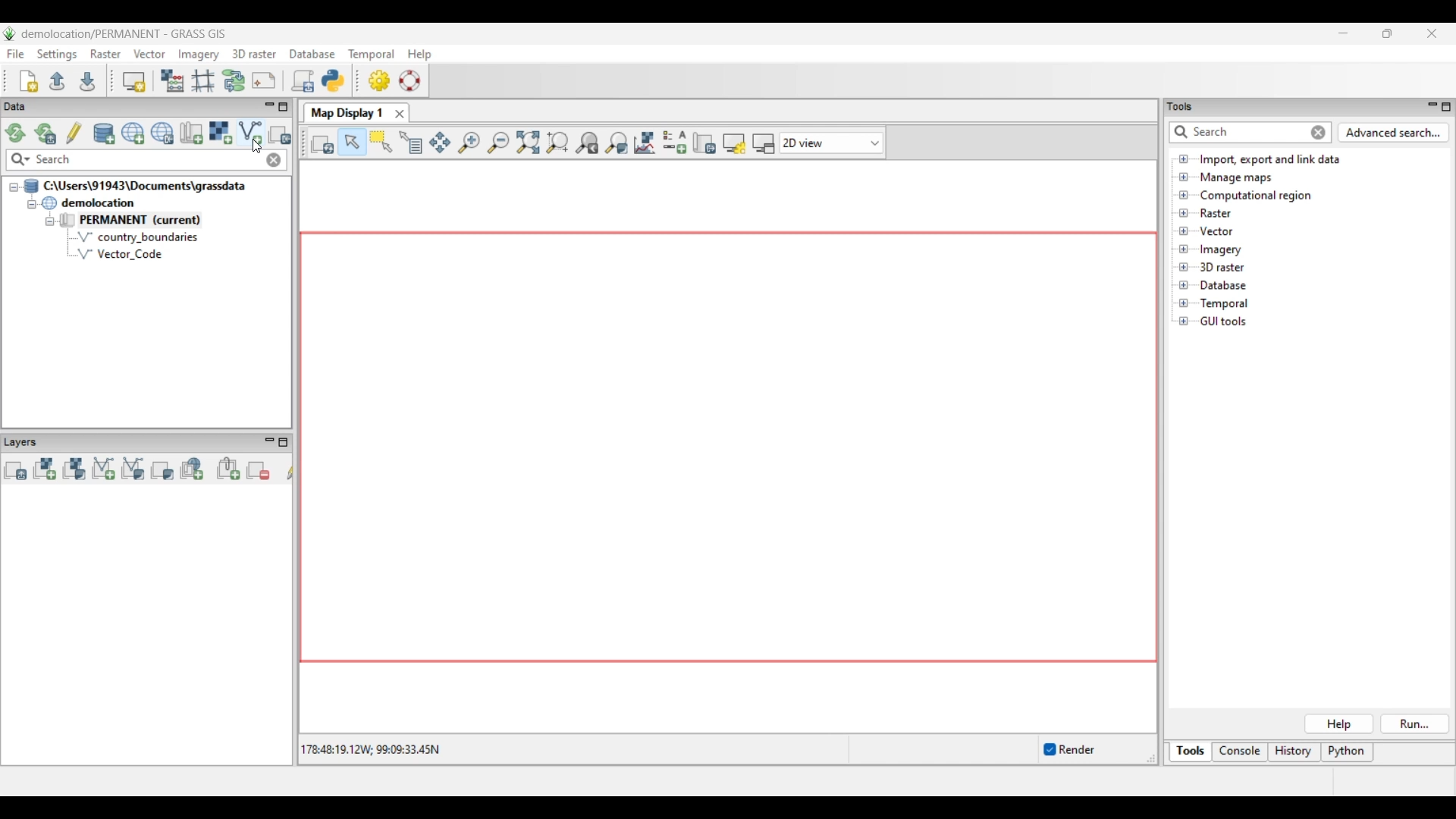 This screenshot has width=1456, height=819. Describe the element at coordinates (312, 55) in the screenshot. I see `Database menu` at that location.